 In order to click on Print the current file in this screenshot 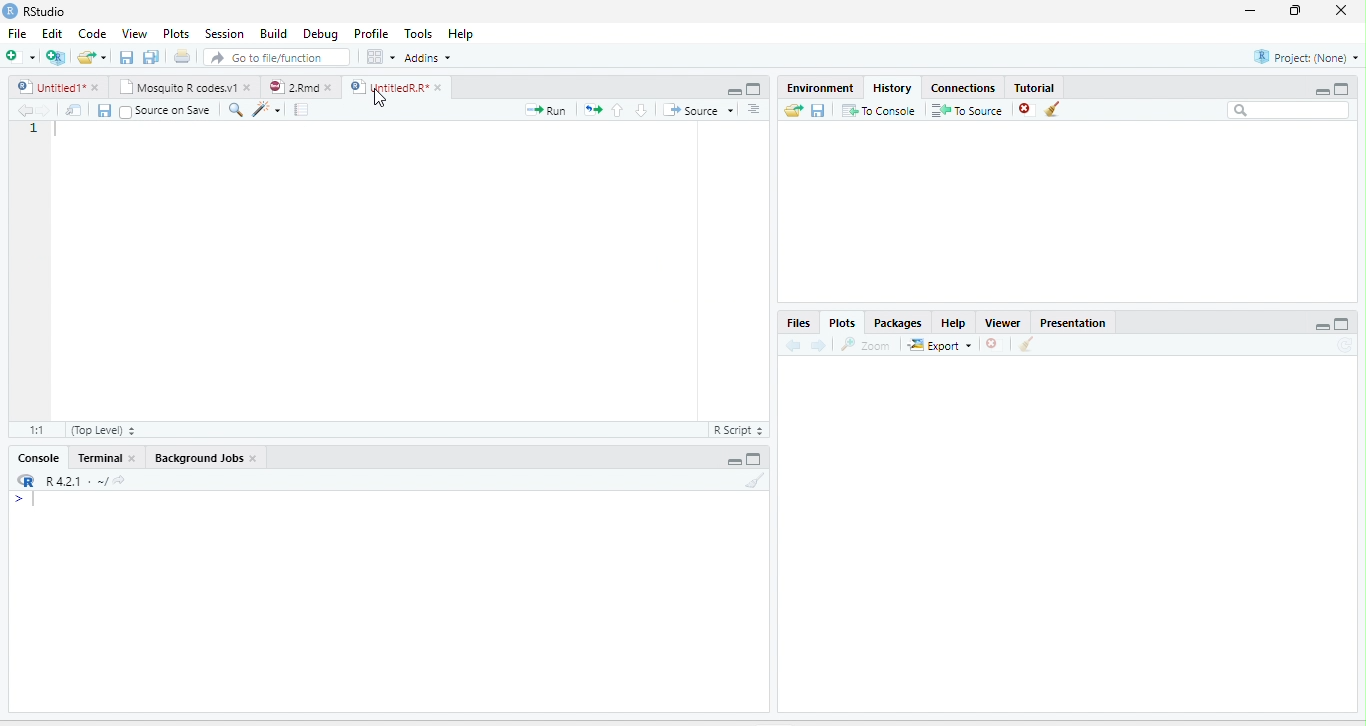, I will do `click(181, 56)`.